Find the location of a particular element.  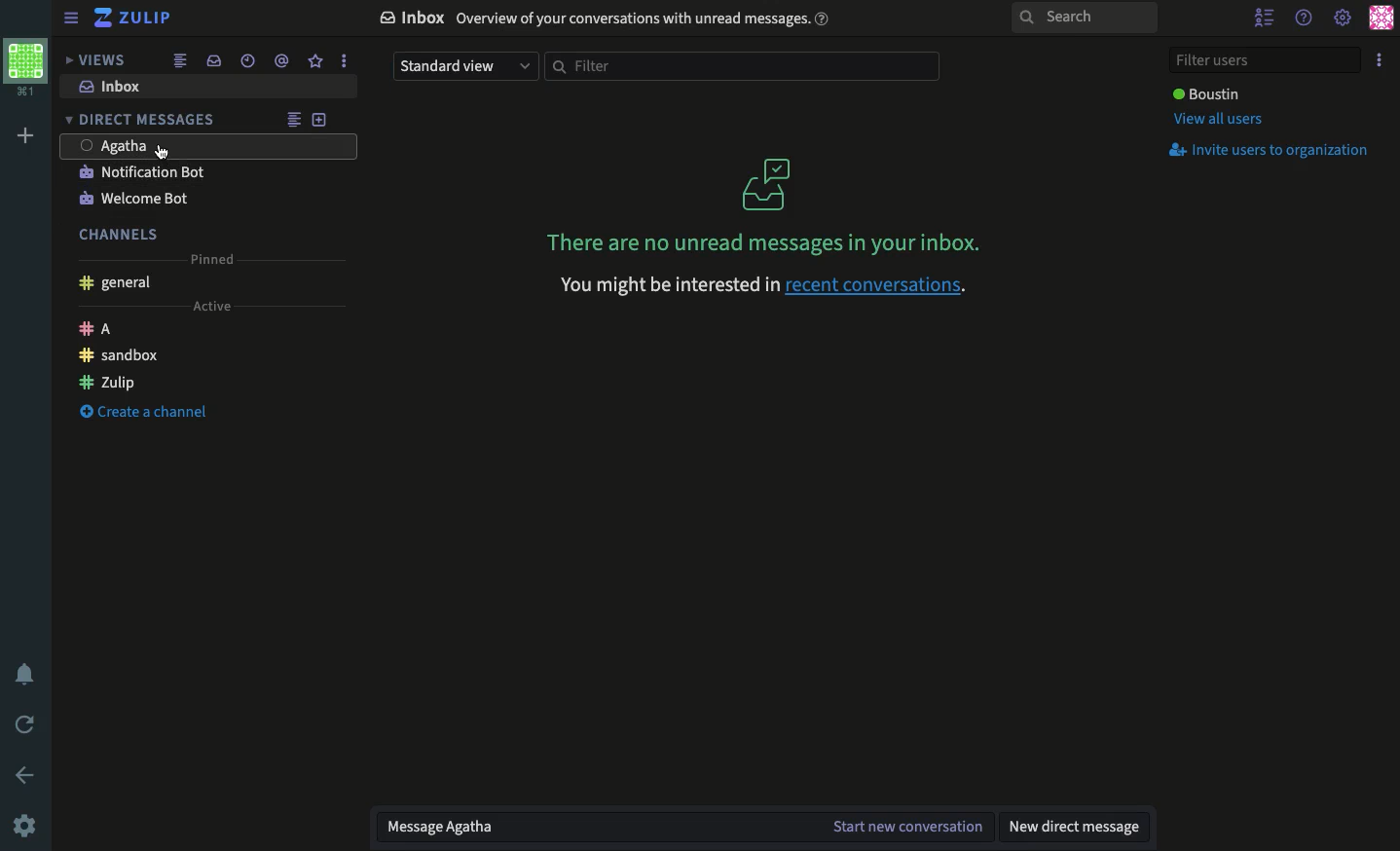

View all users is located at coordinates (1222, 120).